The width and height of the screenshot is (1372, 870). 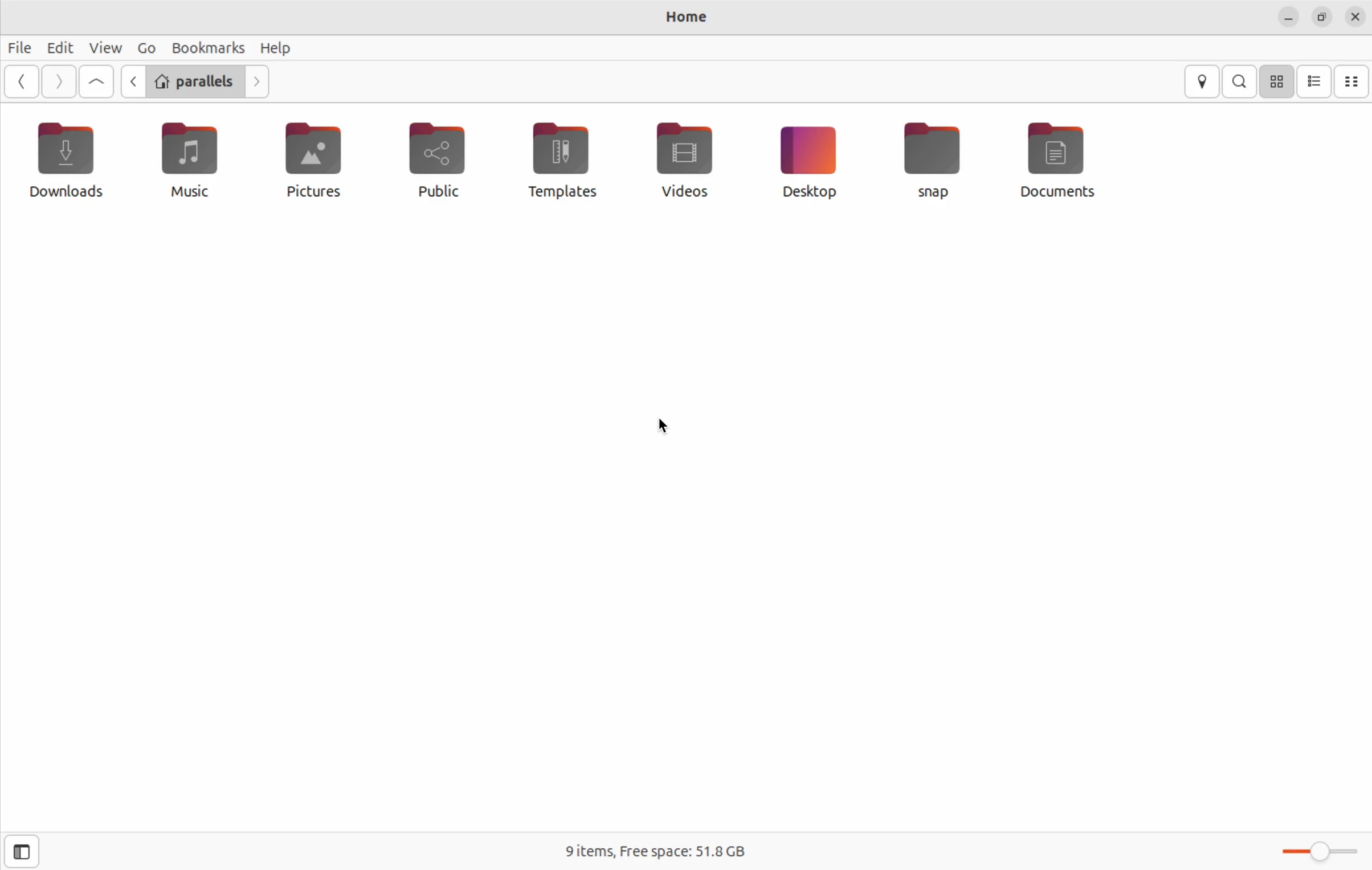 What do you see at coordinates (1322, 18) in the screenshot?
I see `resize` at bounding box center [1322, 18].